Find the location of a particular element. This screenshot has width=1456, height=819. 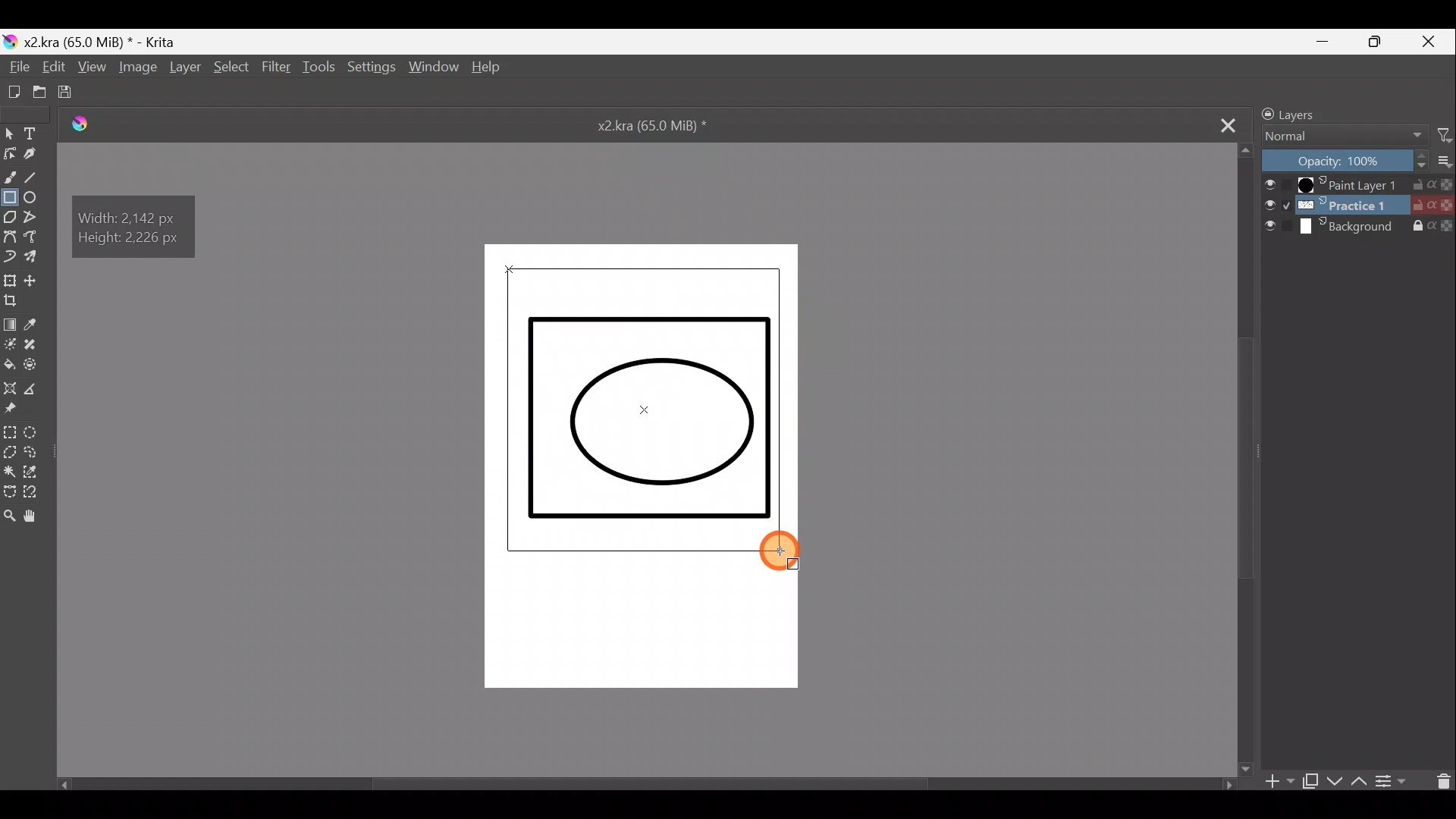

Measure distance between two points is located at coordinates (33, 387).